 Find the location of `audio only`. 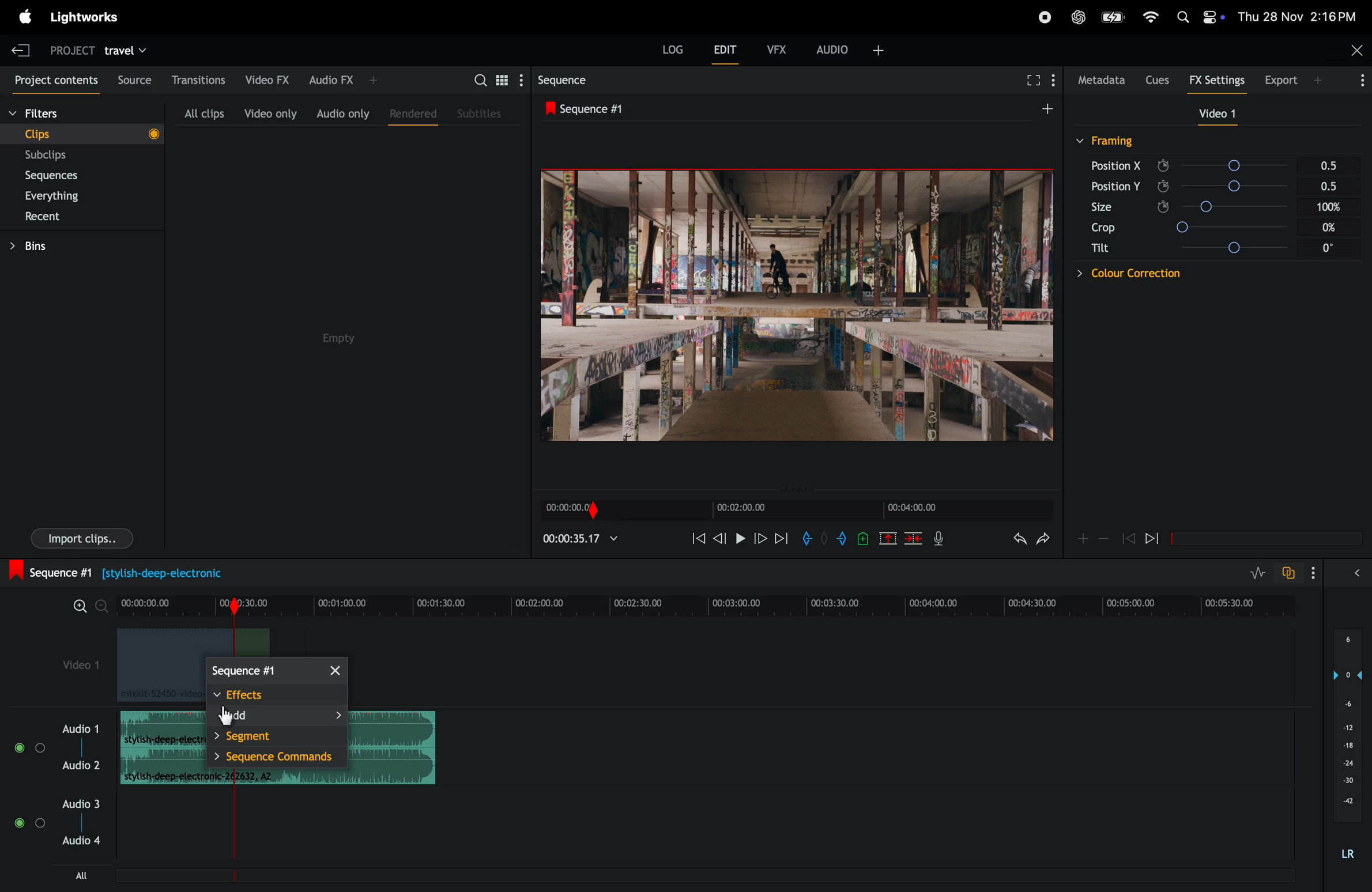

audio only is located at coordinates (342, 113).